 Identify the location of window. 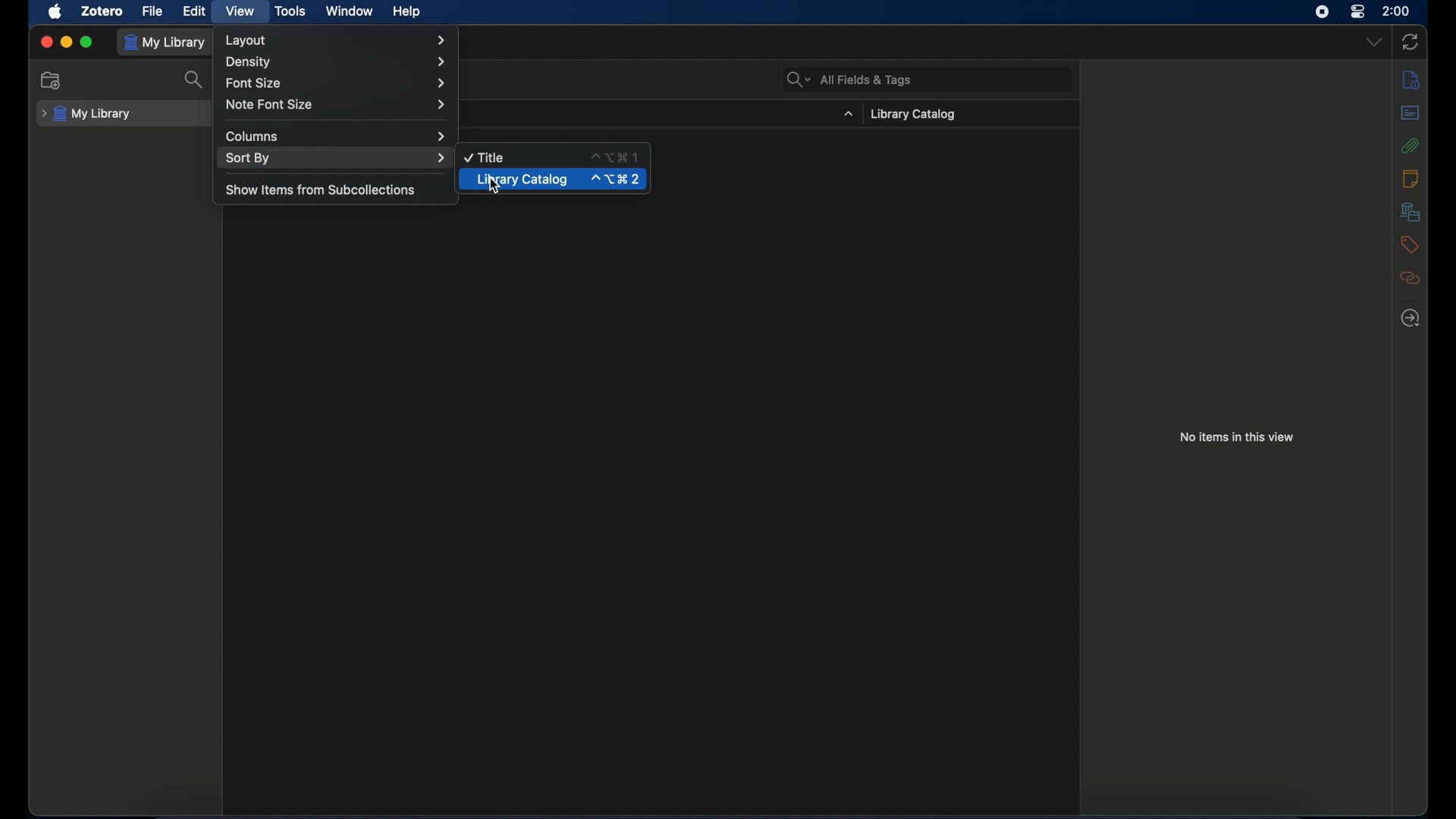
(350, 12).